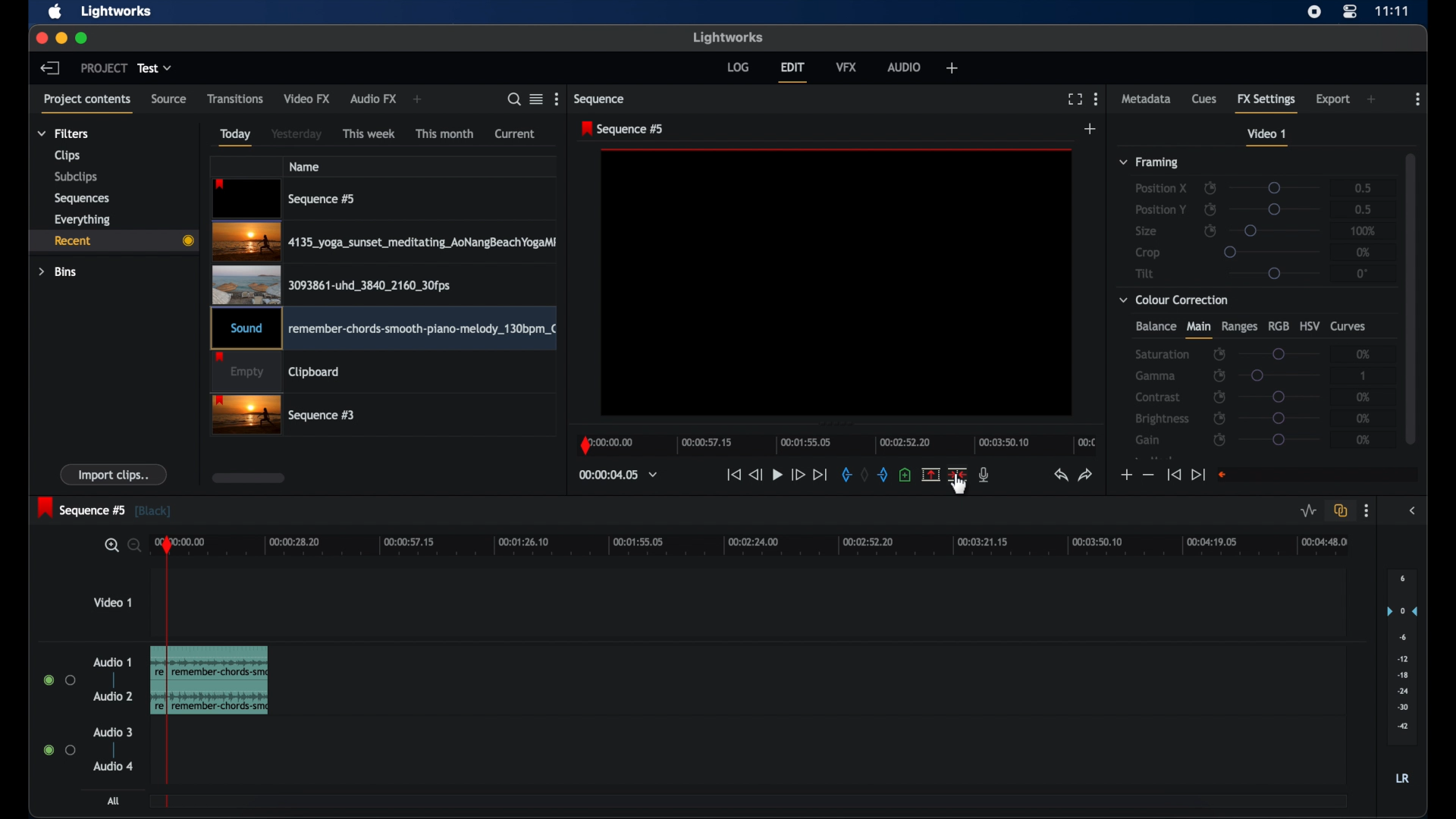 The width and height of the screenshot is (1456, 819). I want to click on curves, so click(1351, 327).